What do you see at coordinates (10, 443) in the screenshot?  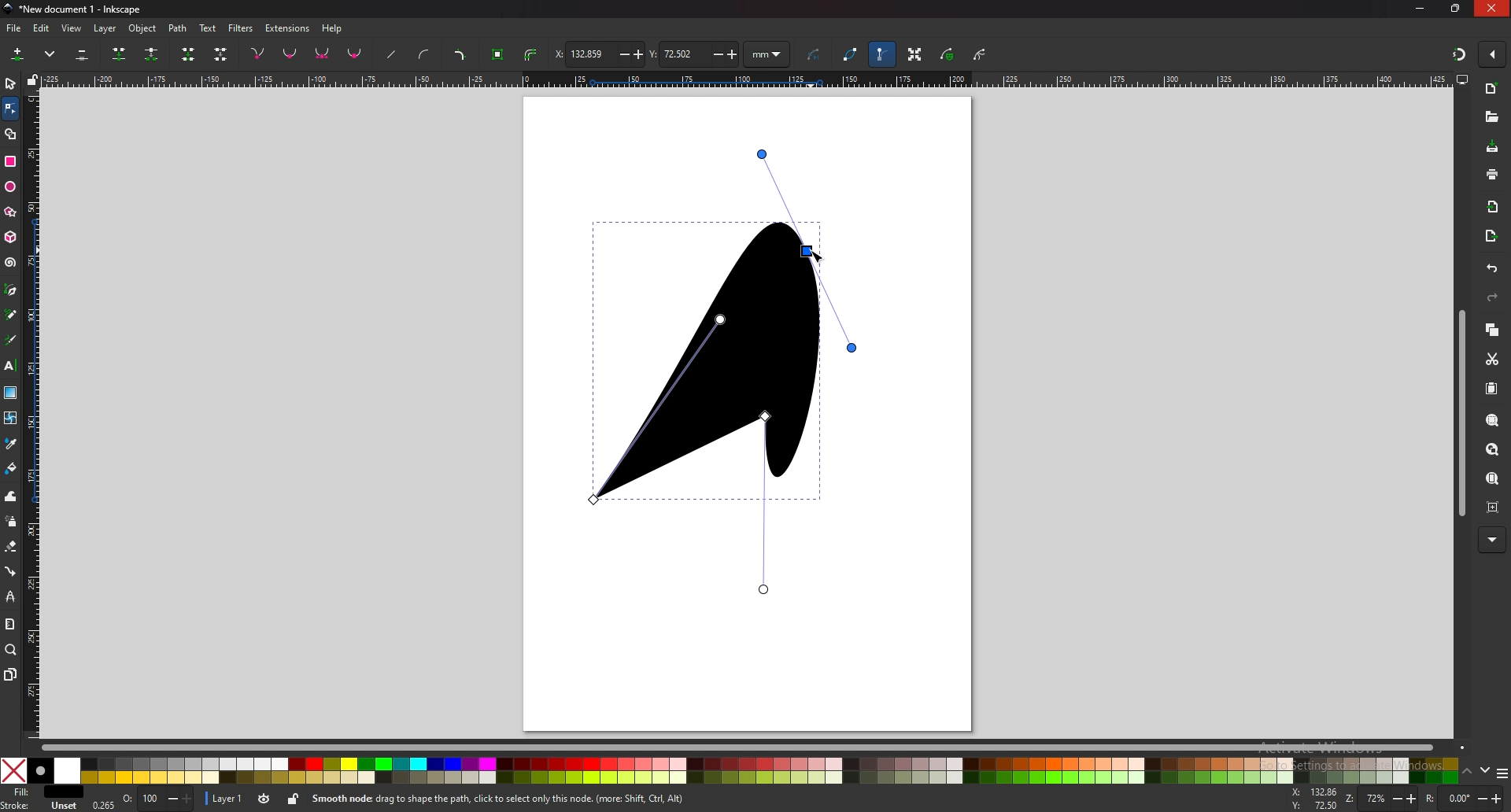 I see `dropper` at bounding box center [10, 443].